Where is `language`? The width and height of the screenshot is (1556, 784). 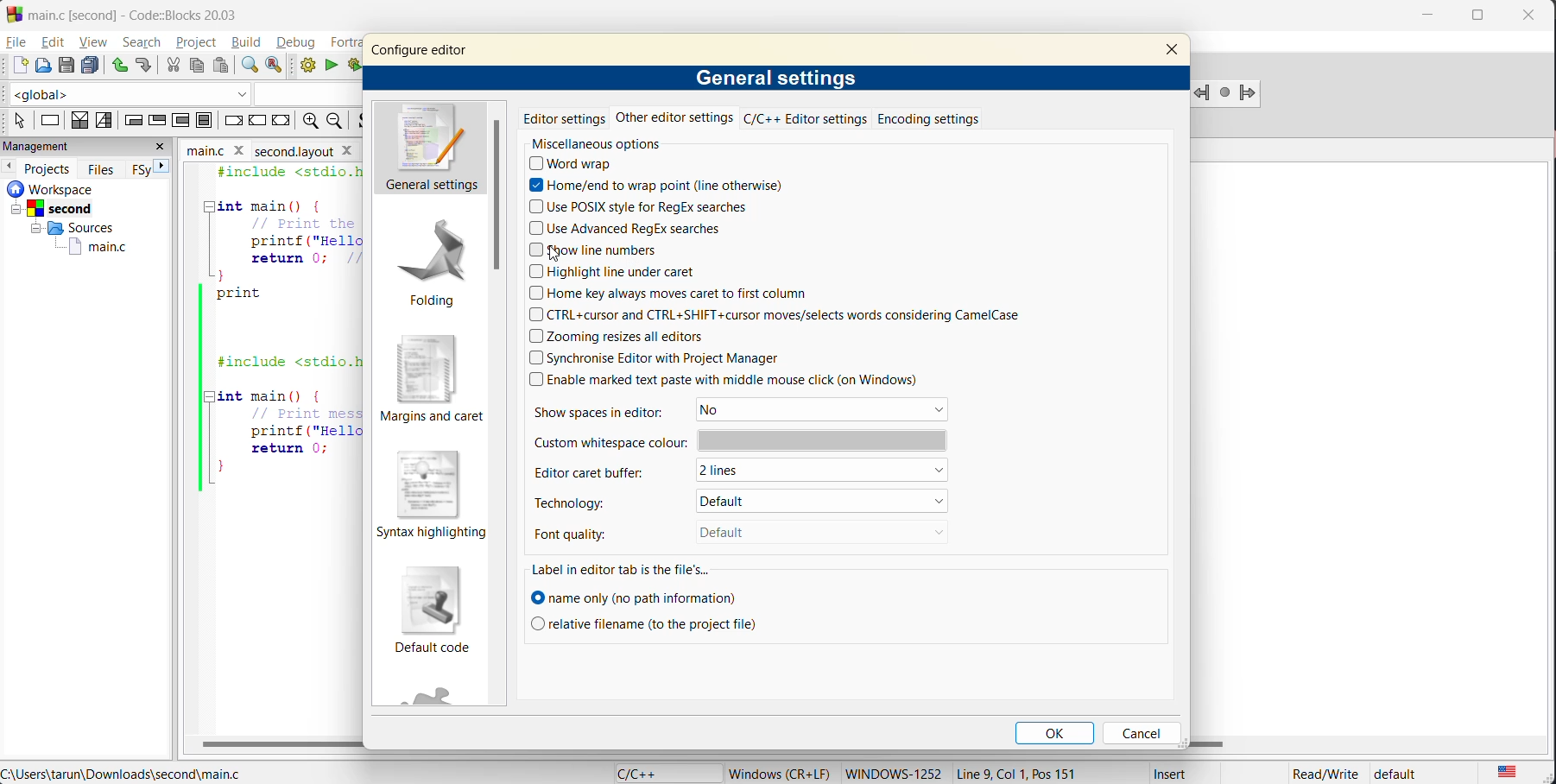 language is located at coordinates (663, 772).